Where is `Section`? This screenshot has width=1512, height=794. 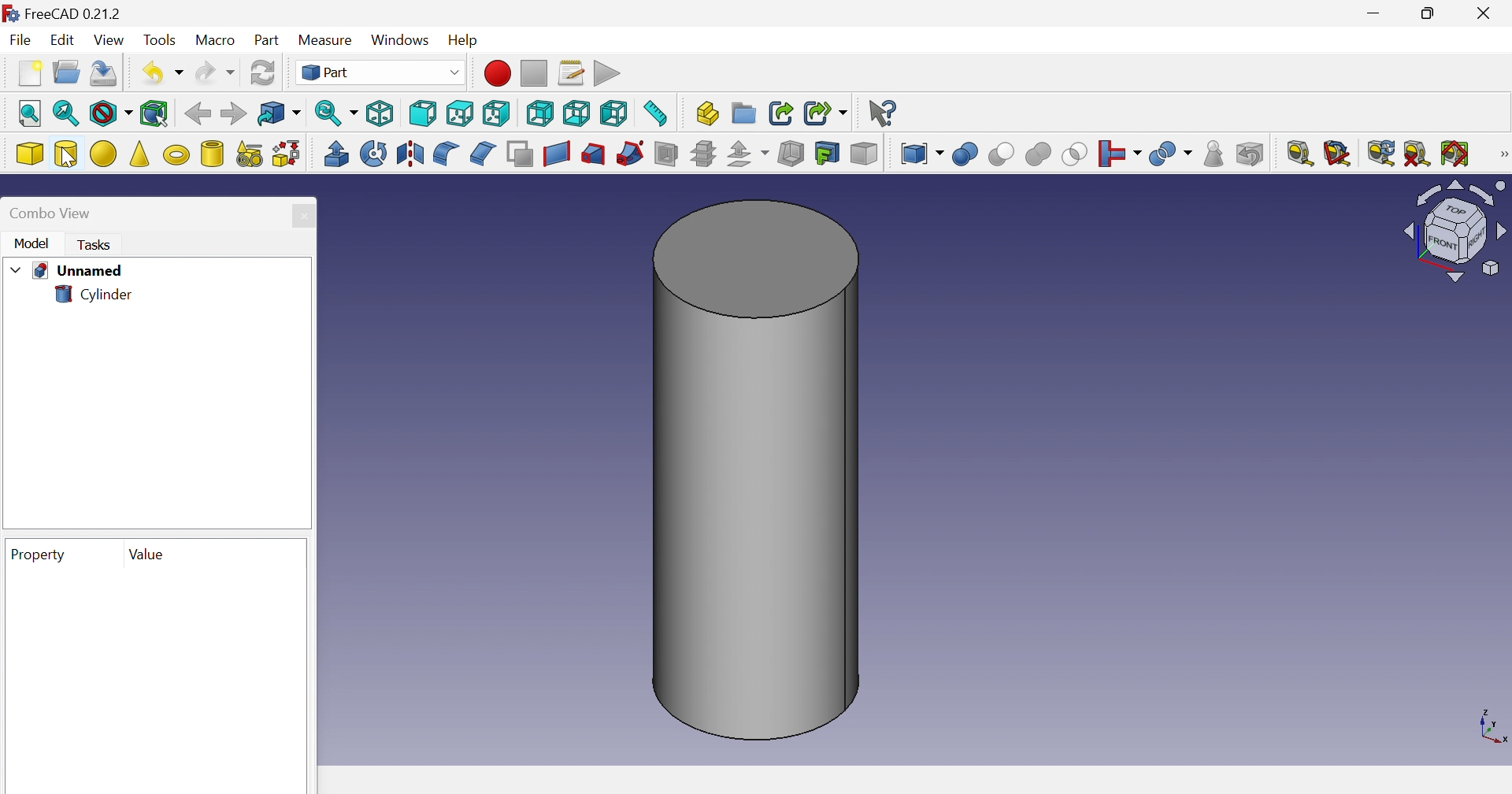
Section is located at coordinates (629, 154).